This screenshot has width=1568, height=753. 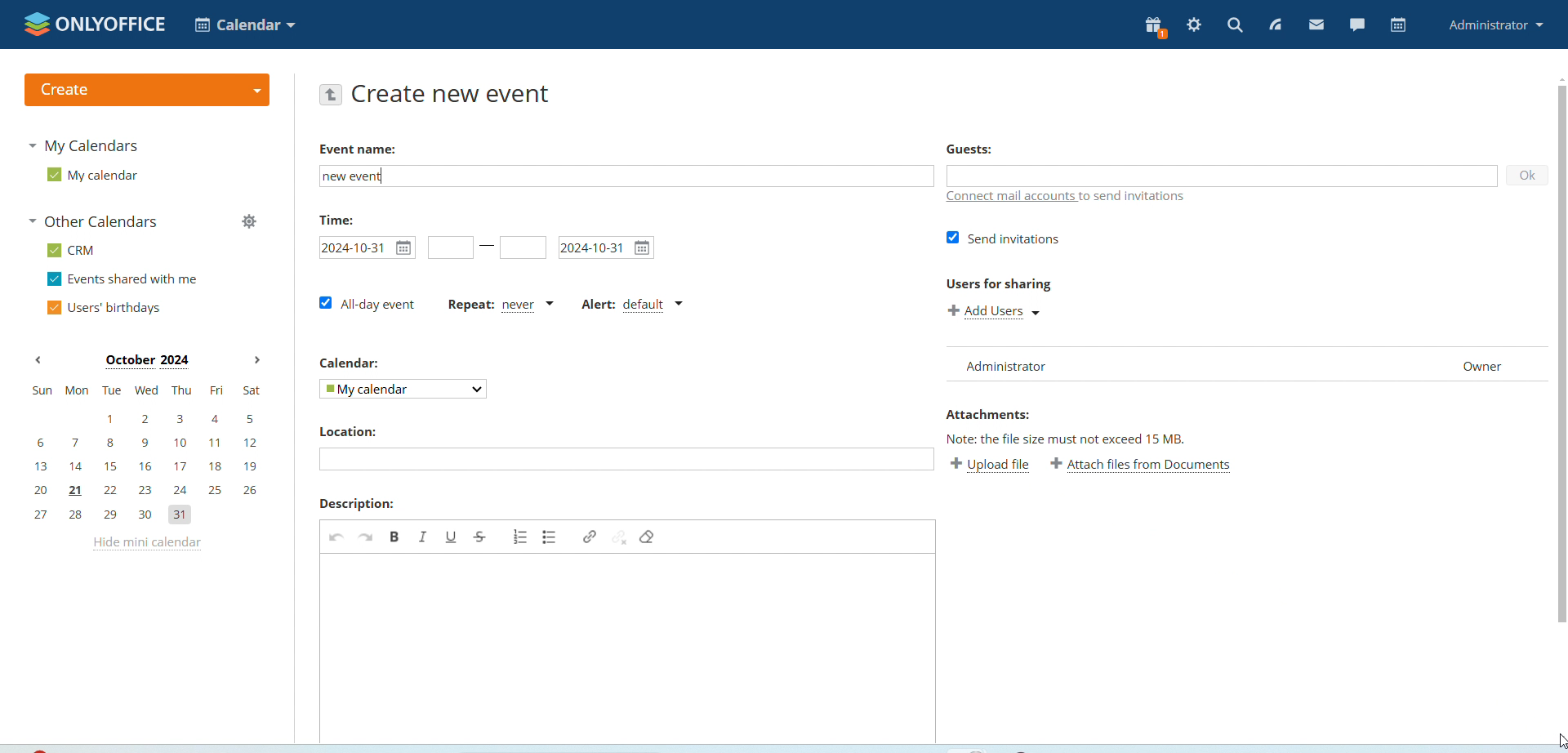 I want to click on new event, so click(x=356, y=177).